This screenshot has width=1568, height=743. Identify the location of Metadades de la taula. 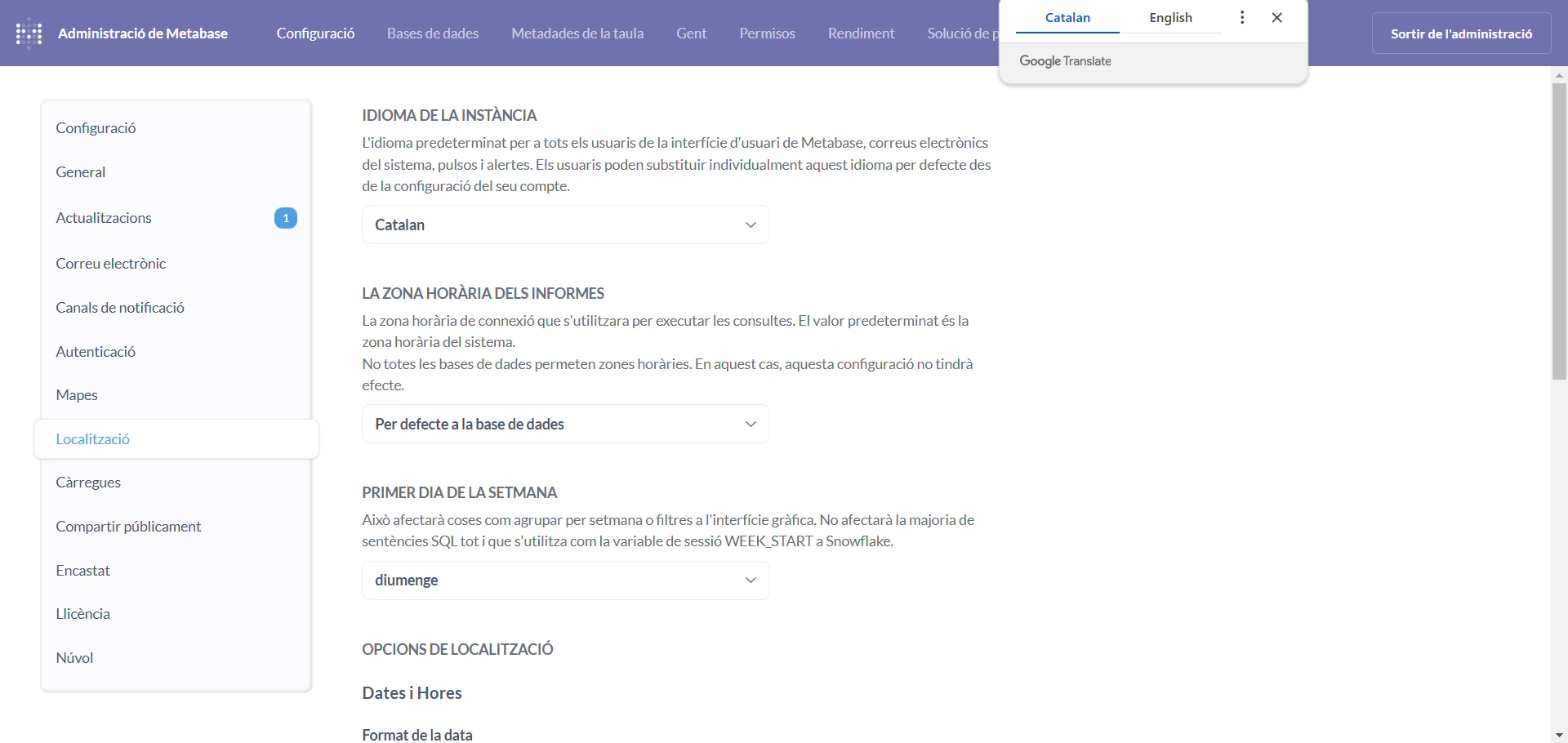
(586, 34).